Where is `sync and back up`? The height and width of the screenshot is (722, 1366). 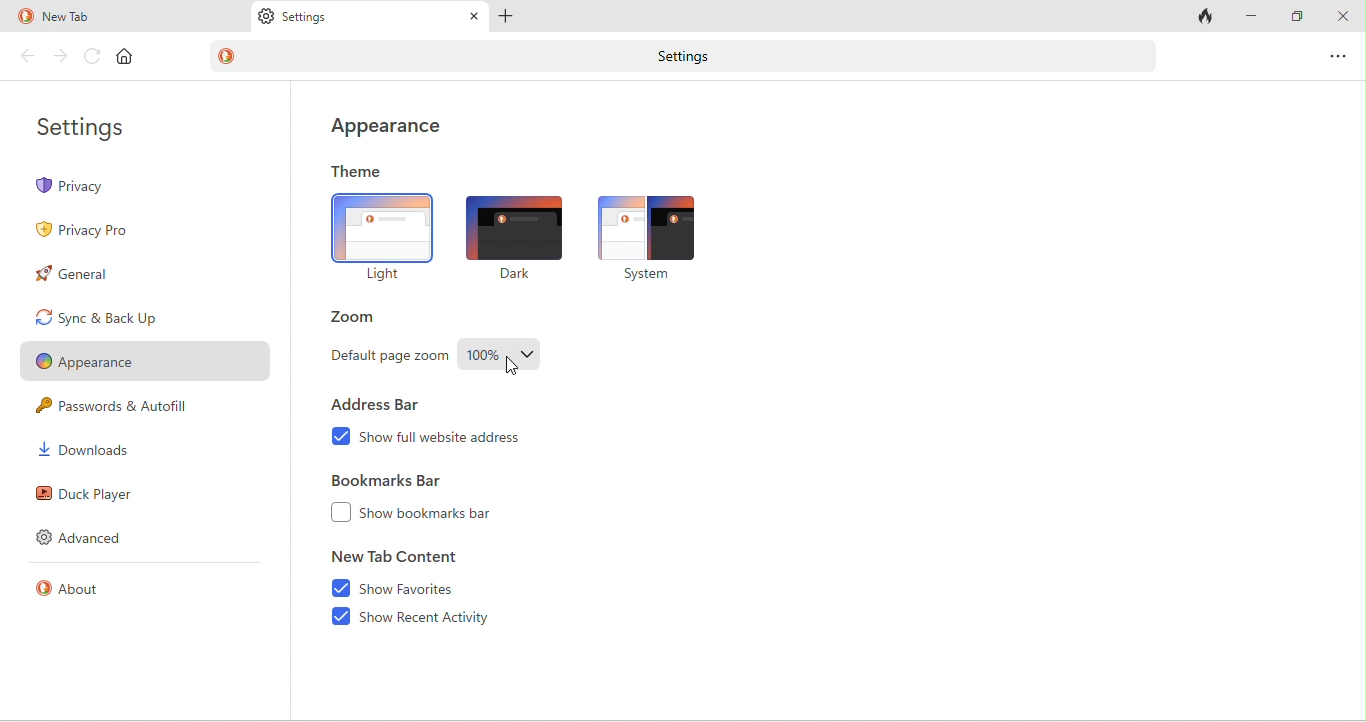 sync and back up is located at coordinates (124, 318).